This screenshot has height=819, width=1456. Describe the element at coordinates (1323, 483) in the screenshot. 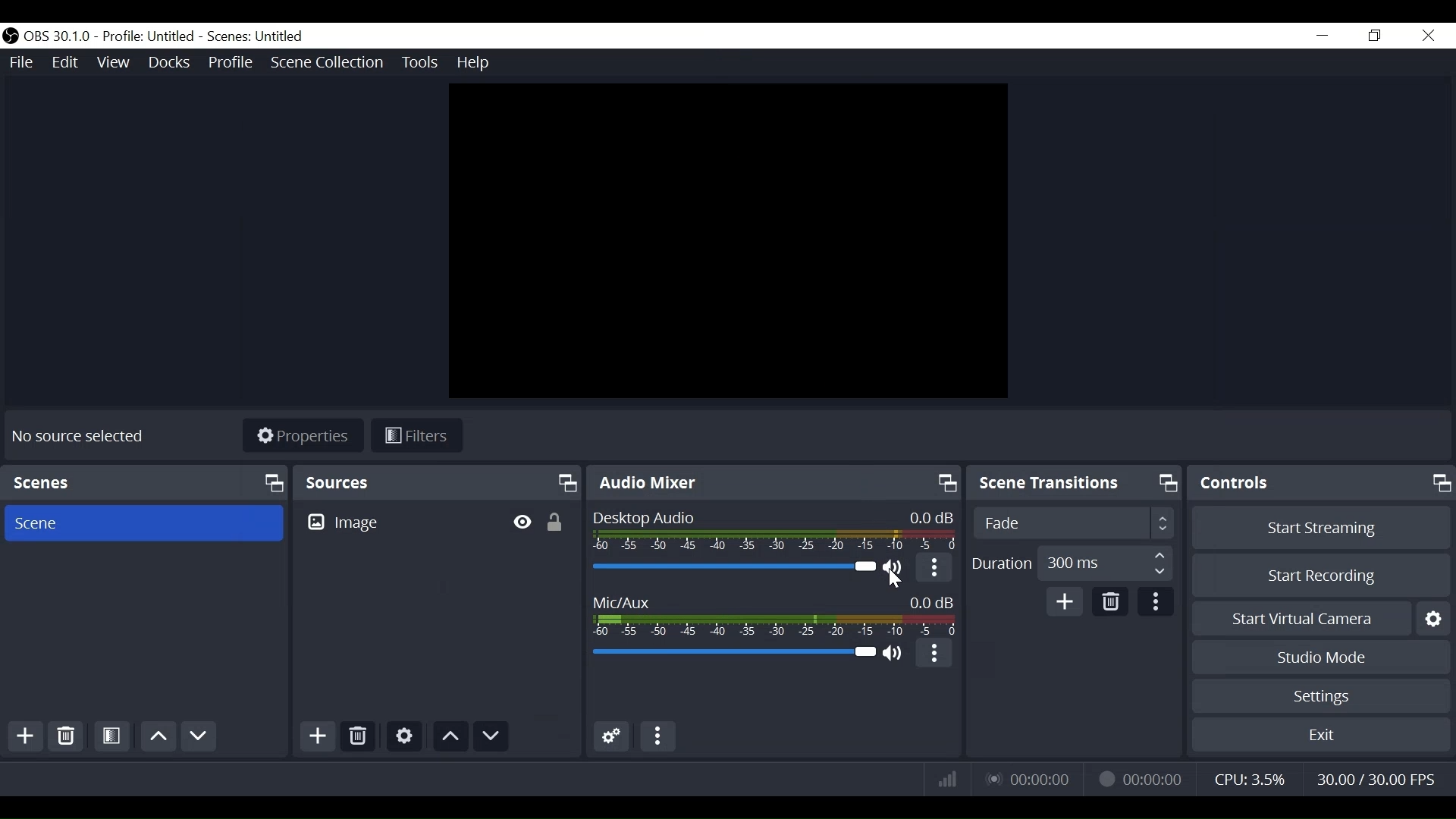

I see `Controls Panel` at that location.